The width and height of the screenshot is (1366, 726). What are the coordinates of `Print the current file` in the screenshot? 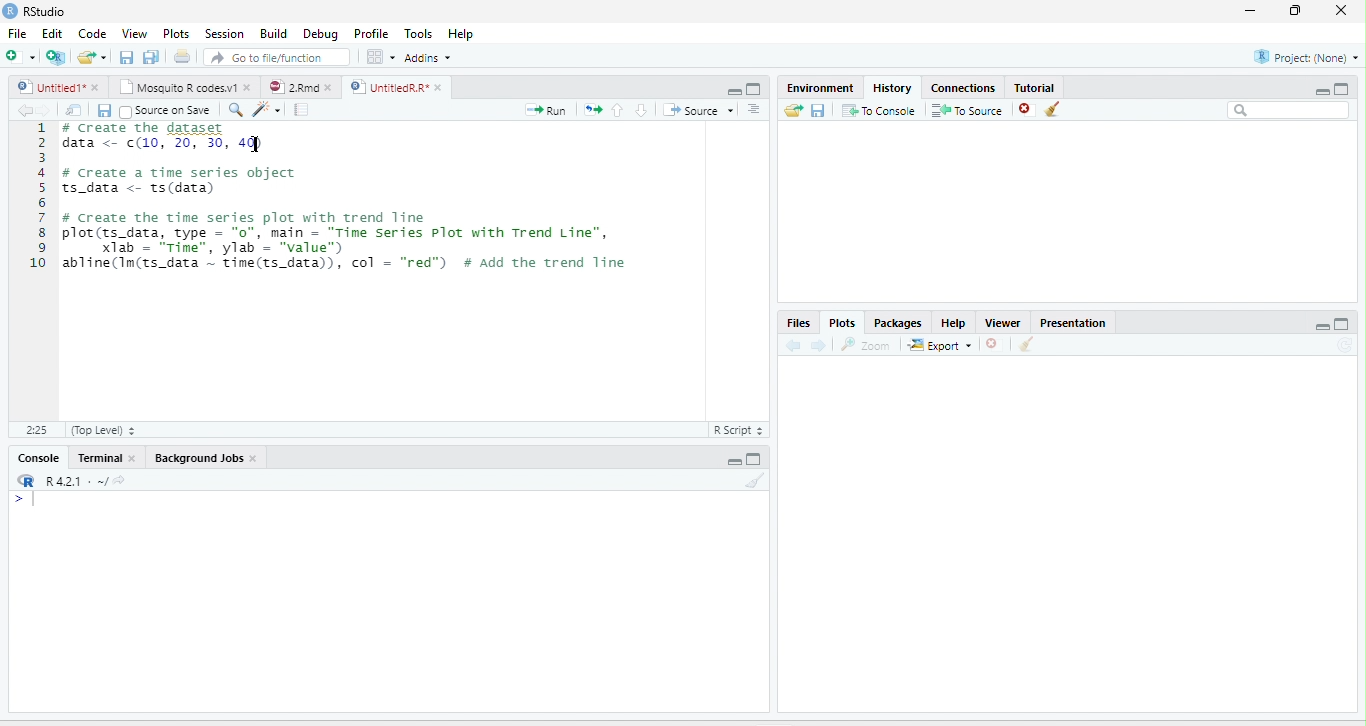 It's located at (181, 56).